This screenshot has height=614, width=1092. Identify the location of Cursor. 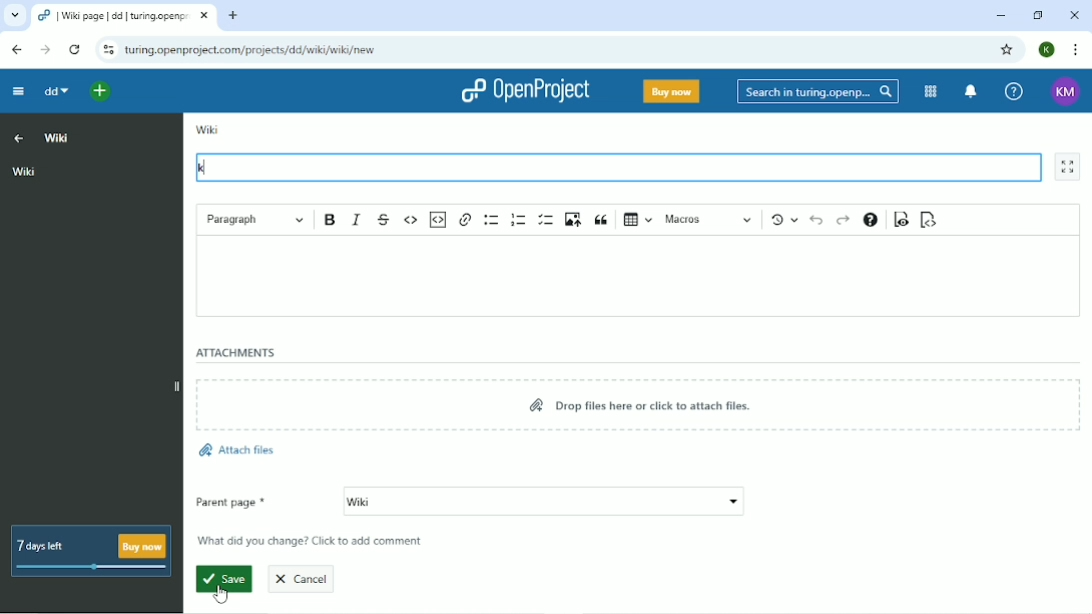
(222, 594).